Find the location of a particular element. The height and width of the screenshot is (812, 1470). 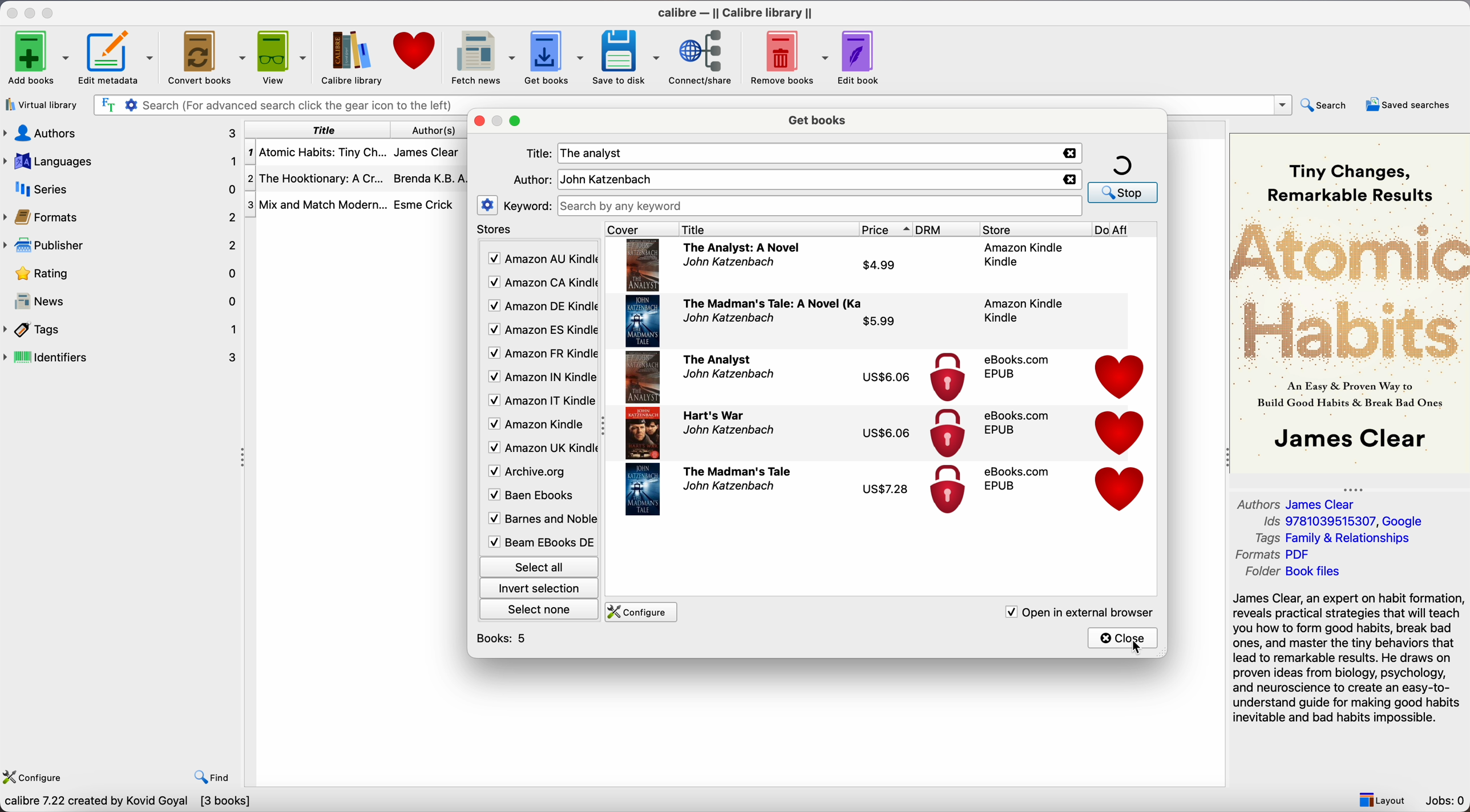

search is located at coordinates (1122, 192).